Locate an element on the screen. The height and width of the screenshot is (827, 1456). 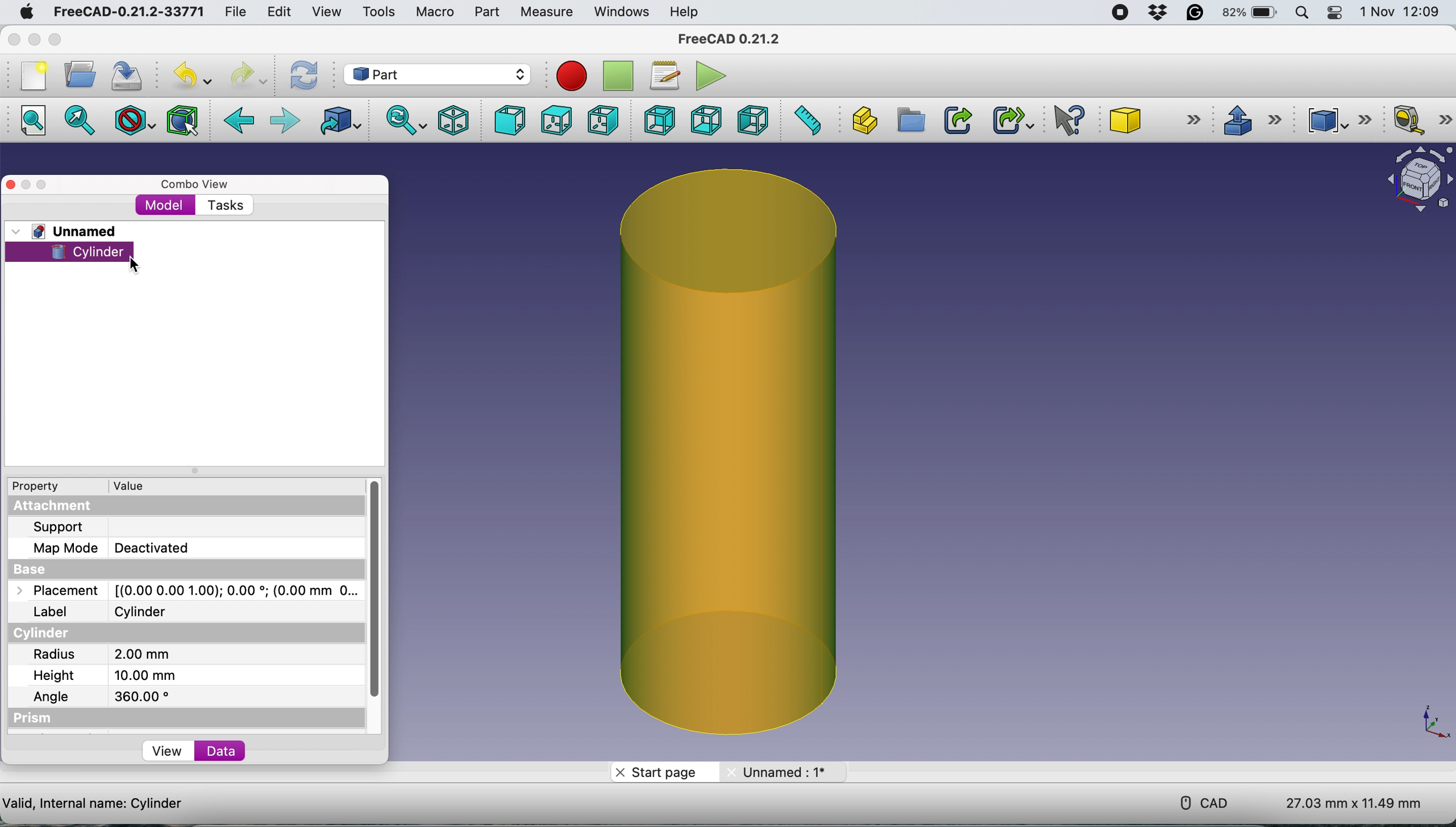
view is located at coordinates (325, 12).